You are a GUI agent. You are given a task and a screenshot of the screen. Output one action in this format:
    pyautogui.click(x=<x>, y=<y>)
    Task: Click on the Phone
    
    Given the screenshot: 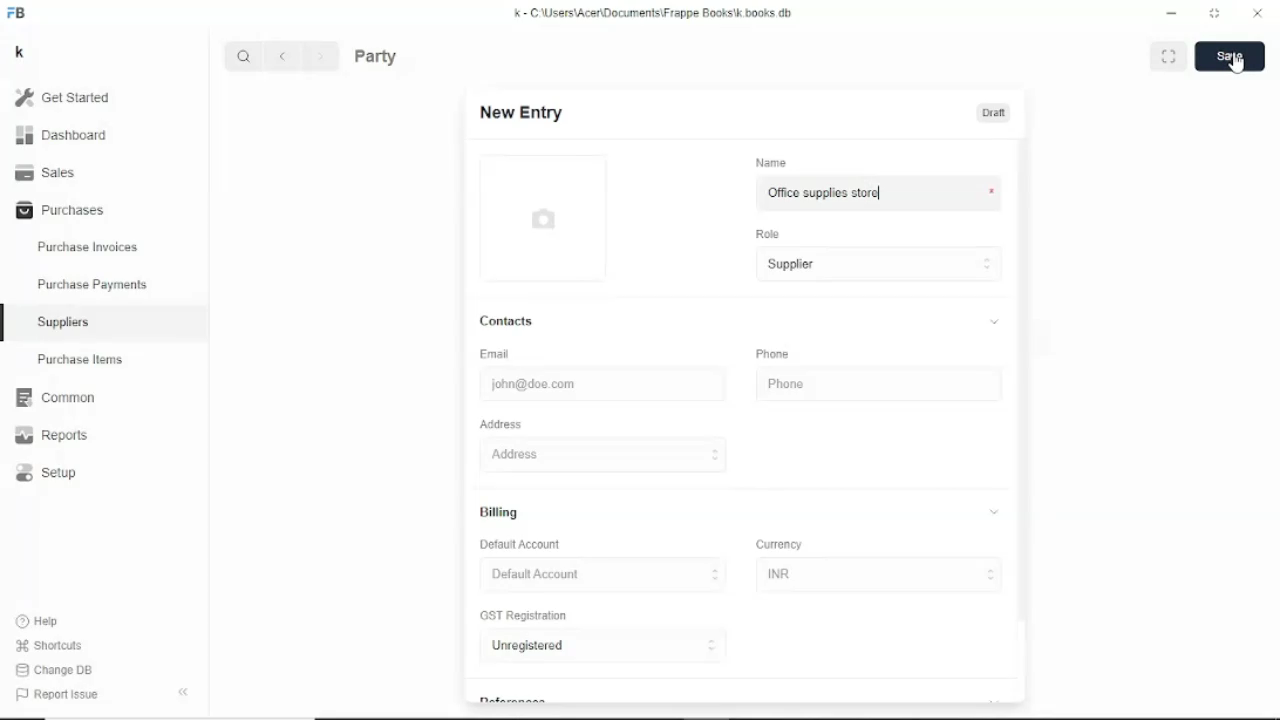 What is the action you would take?
    pyautogui.click(x=772, y=355)
    